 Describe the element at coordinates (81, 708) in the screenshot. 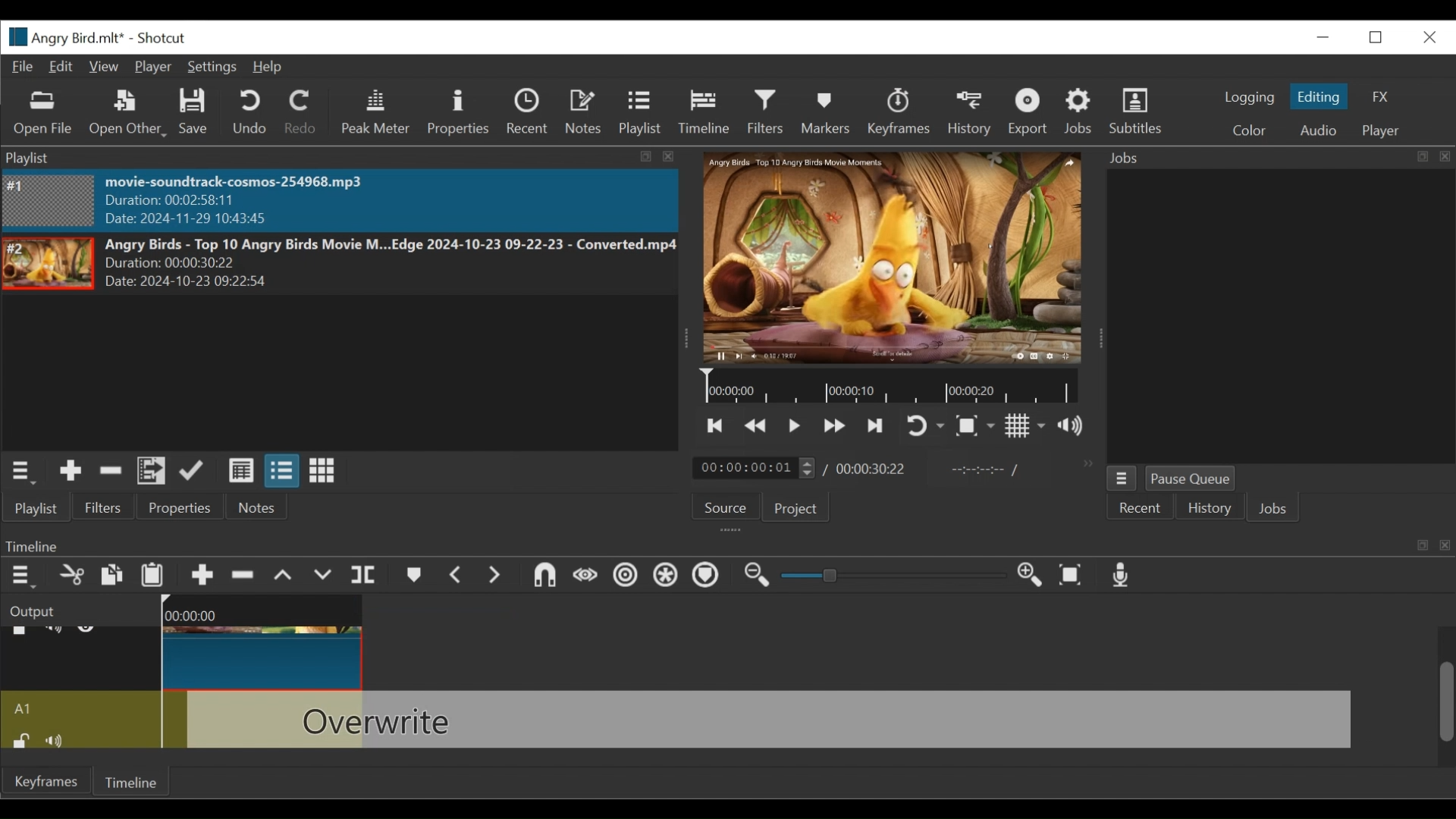

I see `Audio track ` at that location.